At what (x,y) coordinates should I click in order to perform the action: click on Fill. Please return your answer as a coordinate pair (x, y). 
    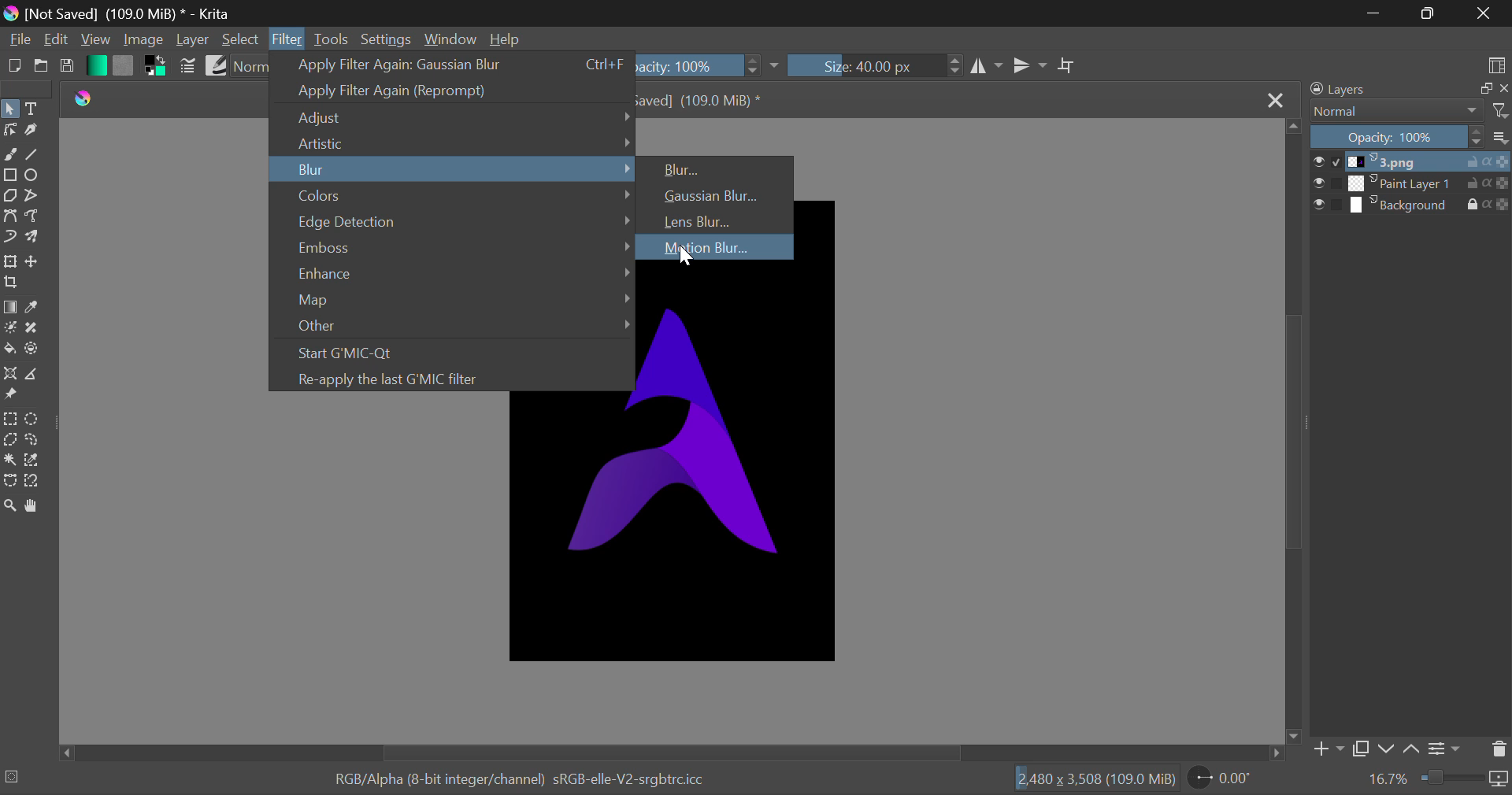
    Looking at the image, I should click on (9, 348).